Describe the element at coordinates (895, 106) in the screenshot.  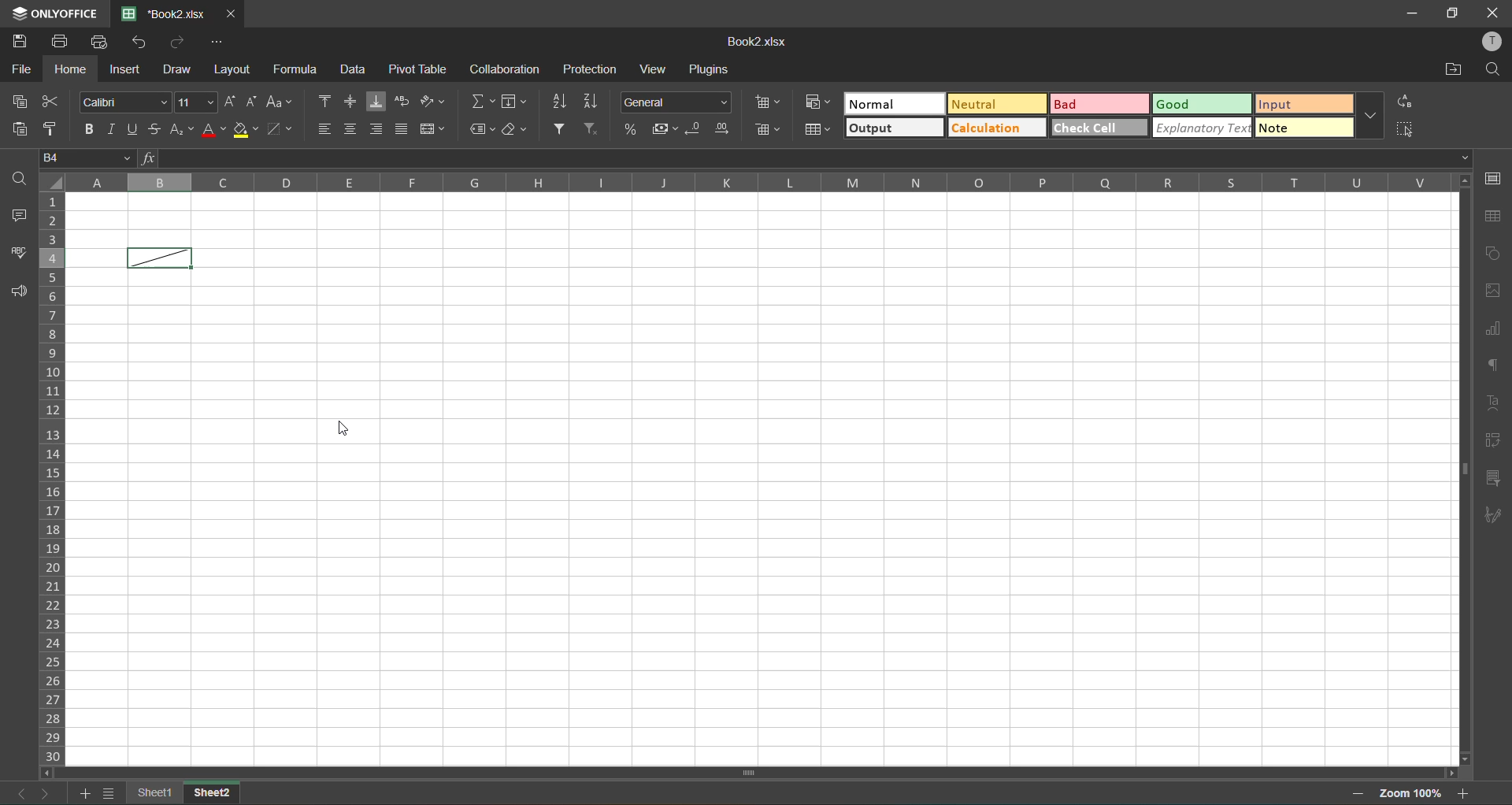
I see `normal` at that location.